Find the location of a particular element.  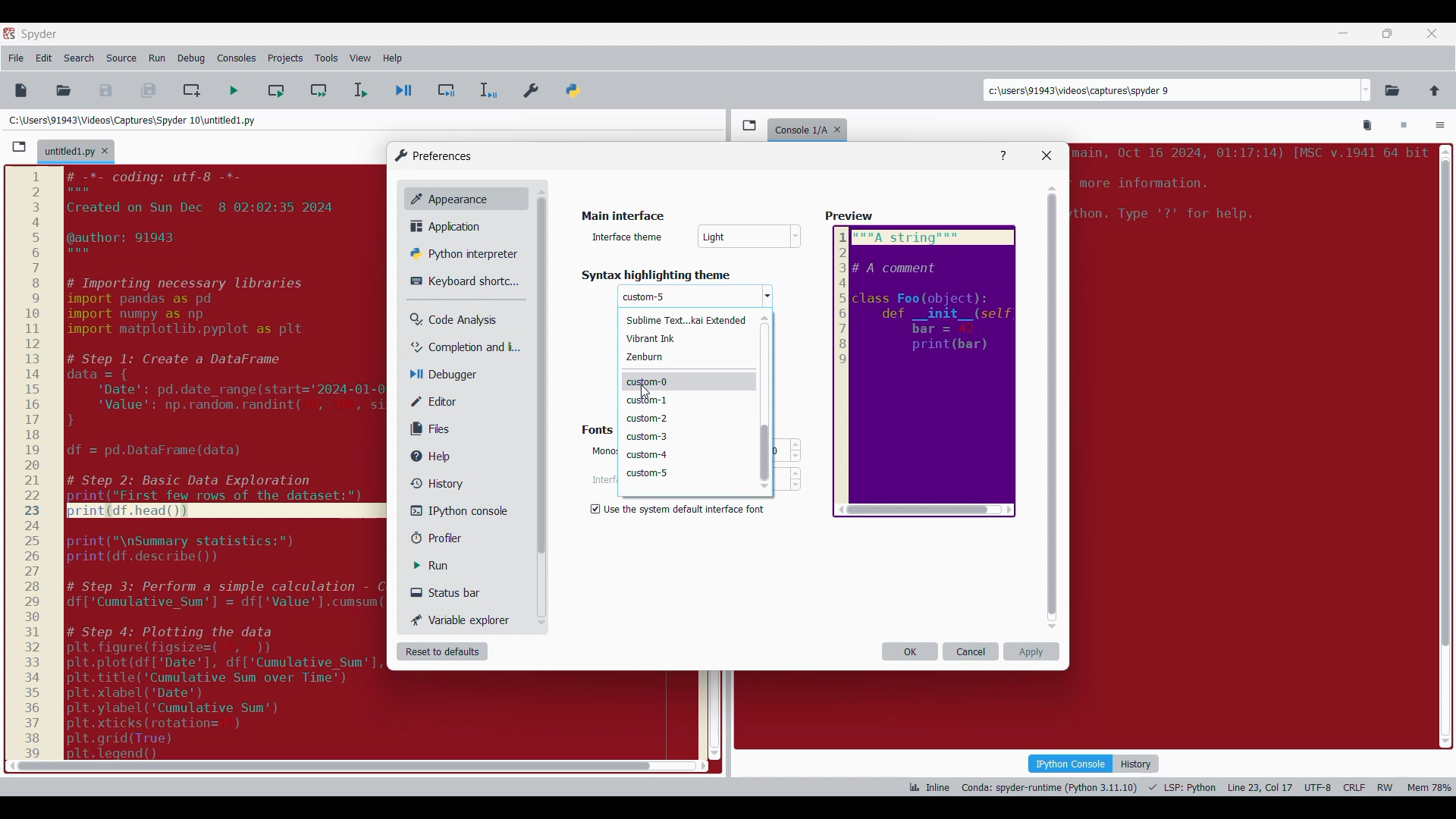

Debug selection/current line is located at coordinates (487, 90).